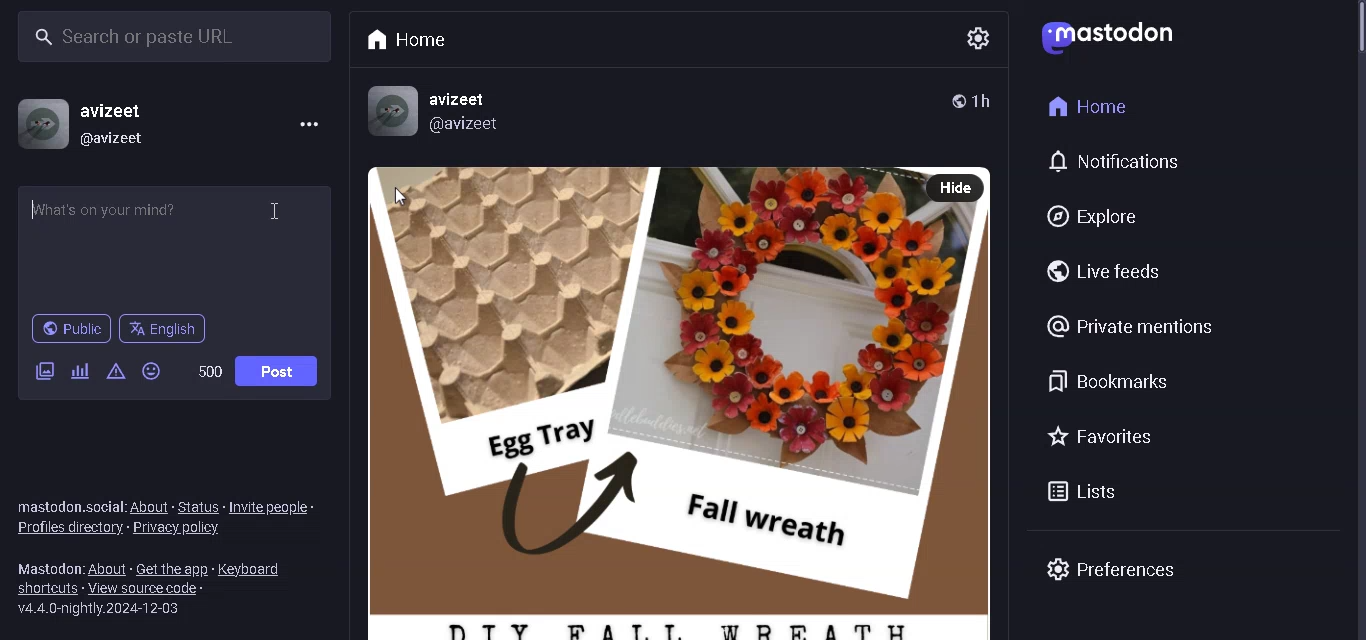 The image size is (1366, 640). What do you see at coordinates (305, 127) in the screenshot?
I see `MENU` at bounding box center [305, 127].